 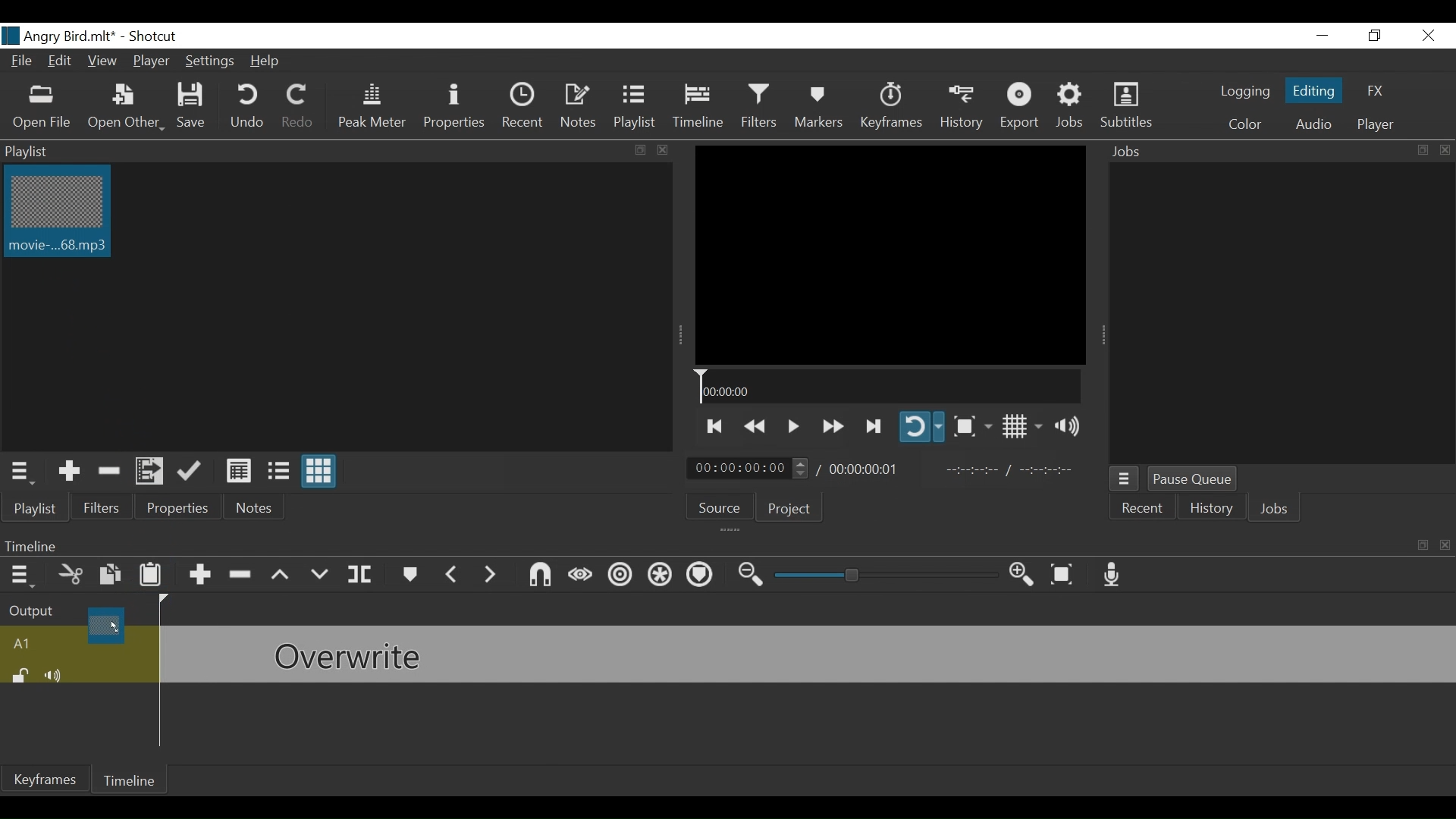 I want to click on Playlist menu, so click(x=27, y=471).